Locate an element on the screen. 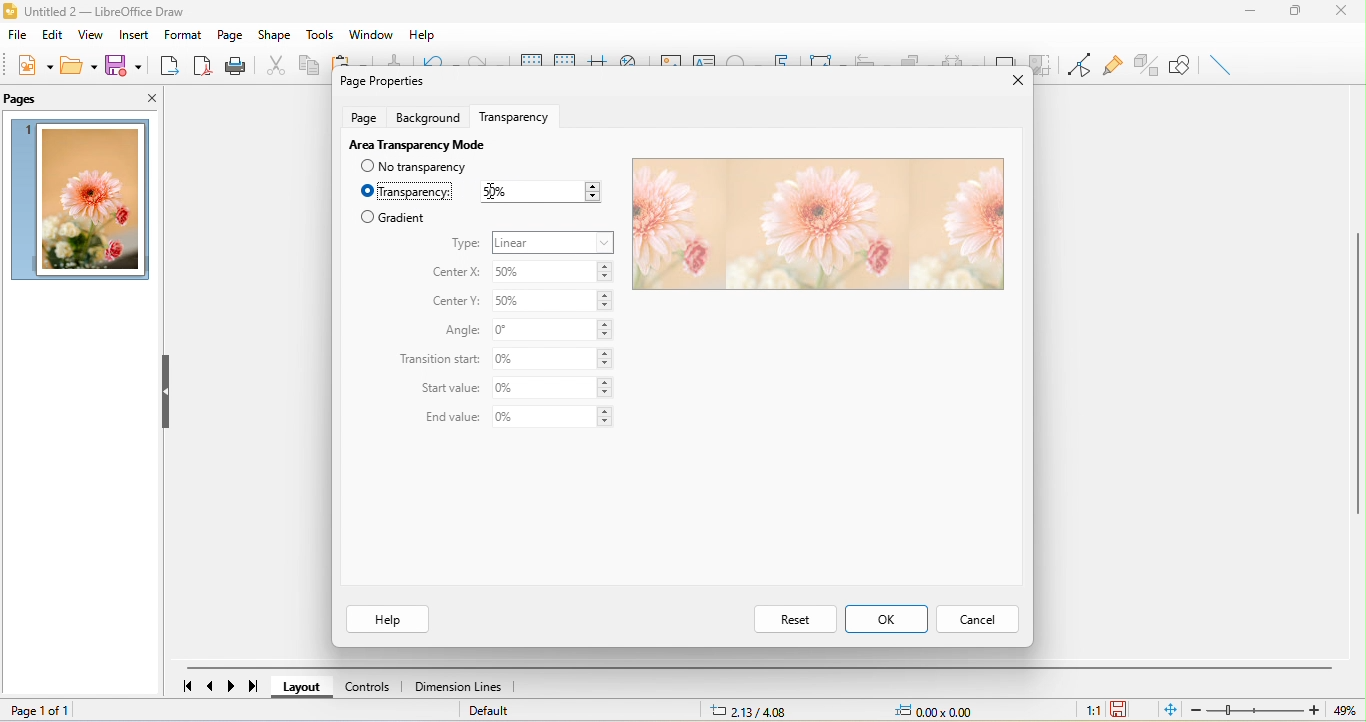  start value is located at coordinates (451, 390).